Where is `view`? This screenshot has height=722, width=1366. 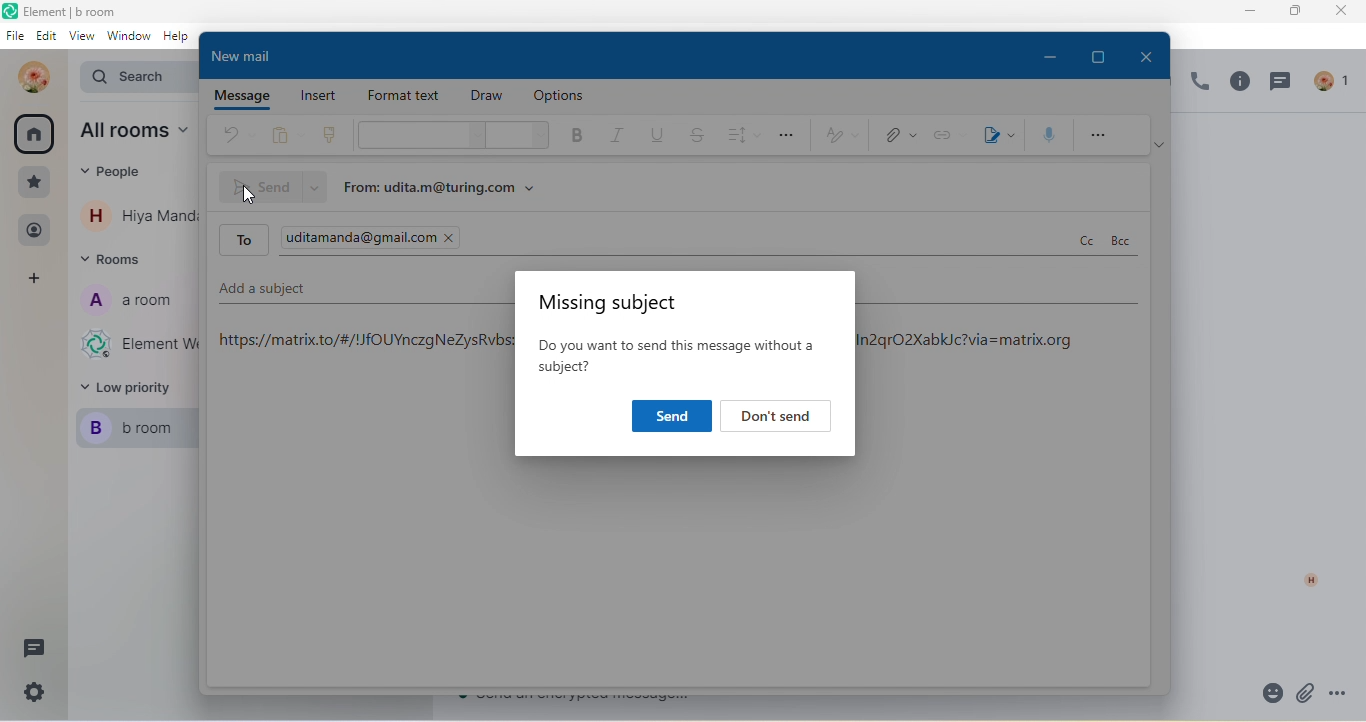 view is located at coordinates (81, 39).